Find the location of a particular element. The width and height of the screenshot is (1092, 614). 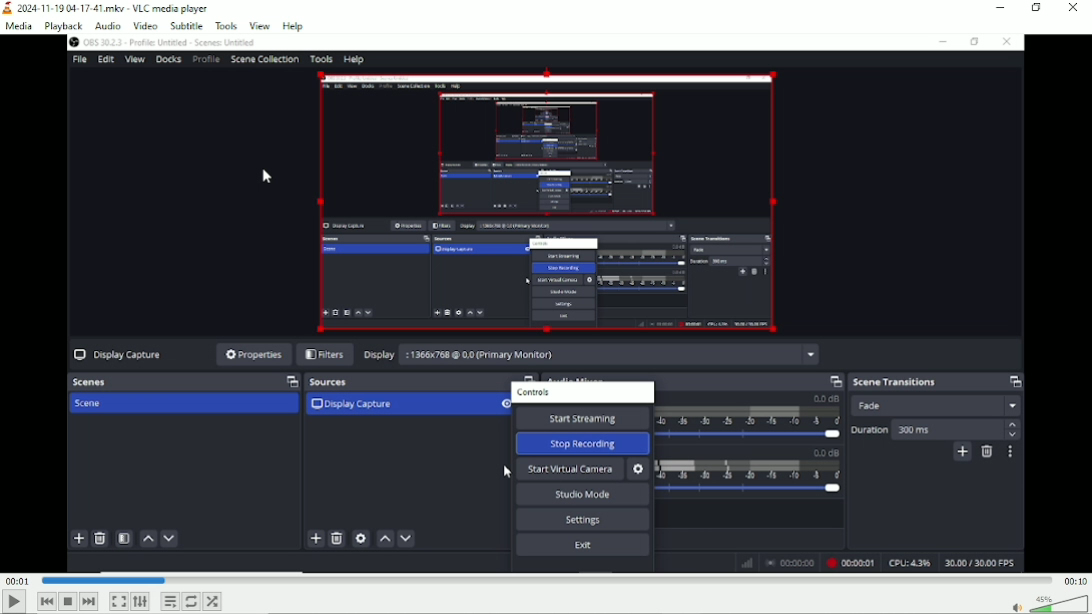

Close is located at coordinates (1072, 10).